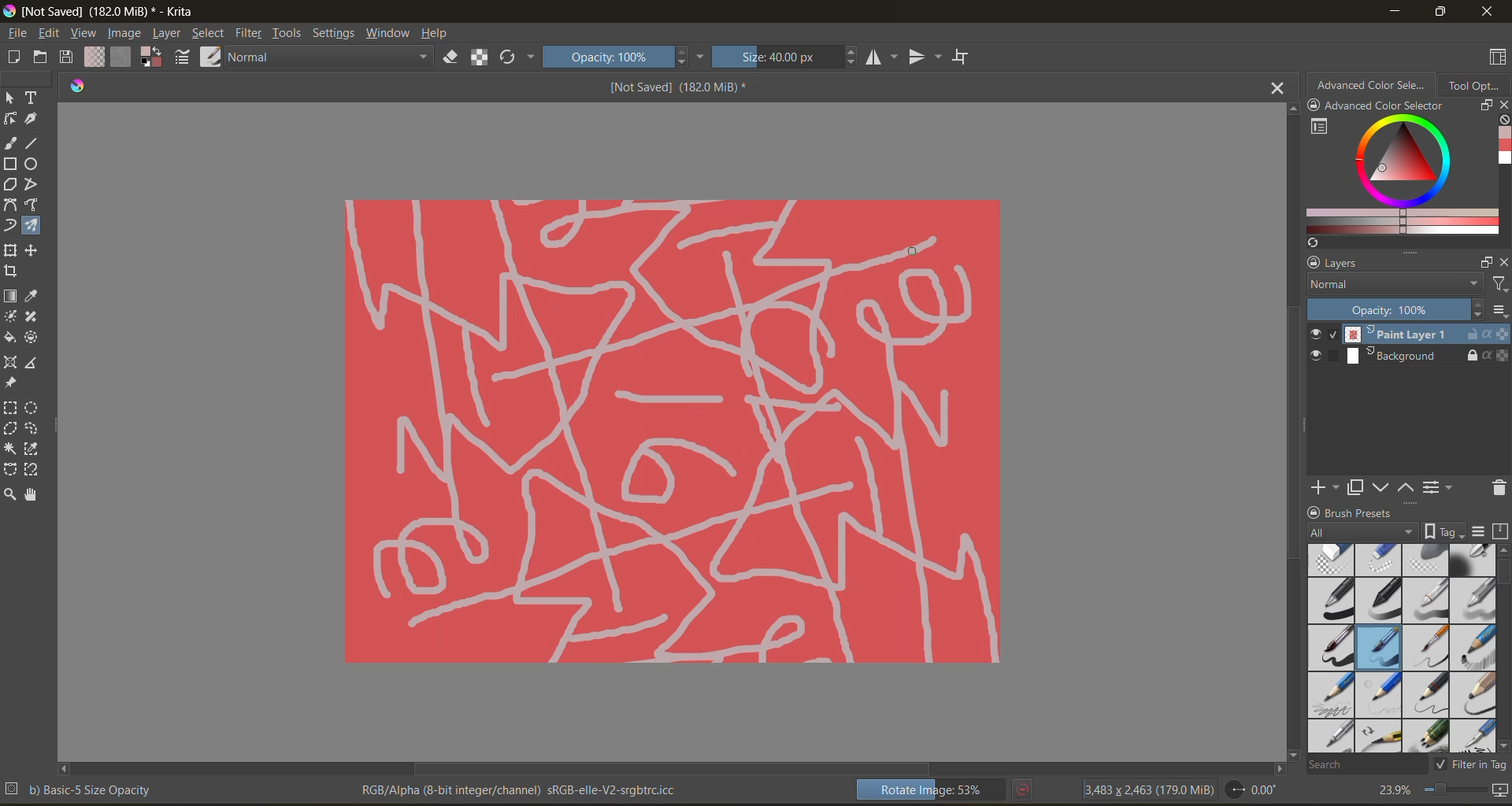 This screenshot has width=1512, height=806. Describe the element at coordinates (791, 56) in the screenshot. I see `size` at that location.